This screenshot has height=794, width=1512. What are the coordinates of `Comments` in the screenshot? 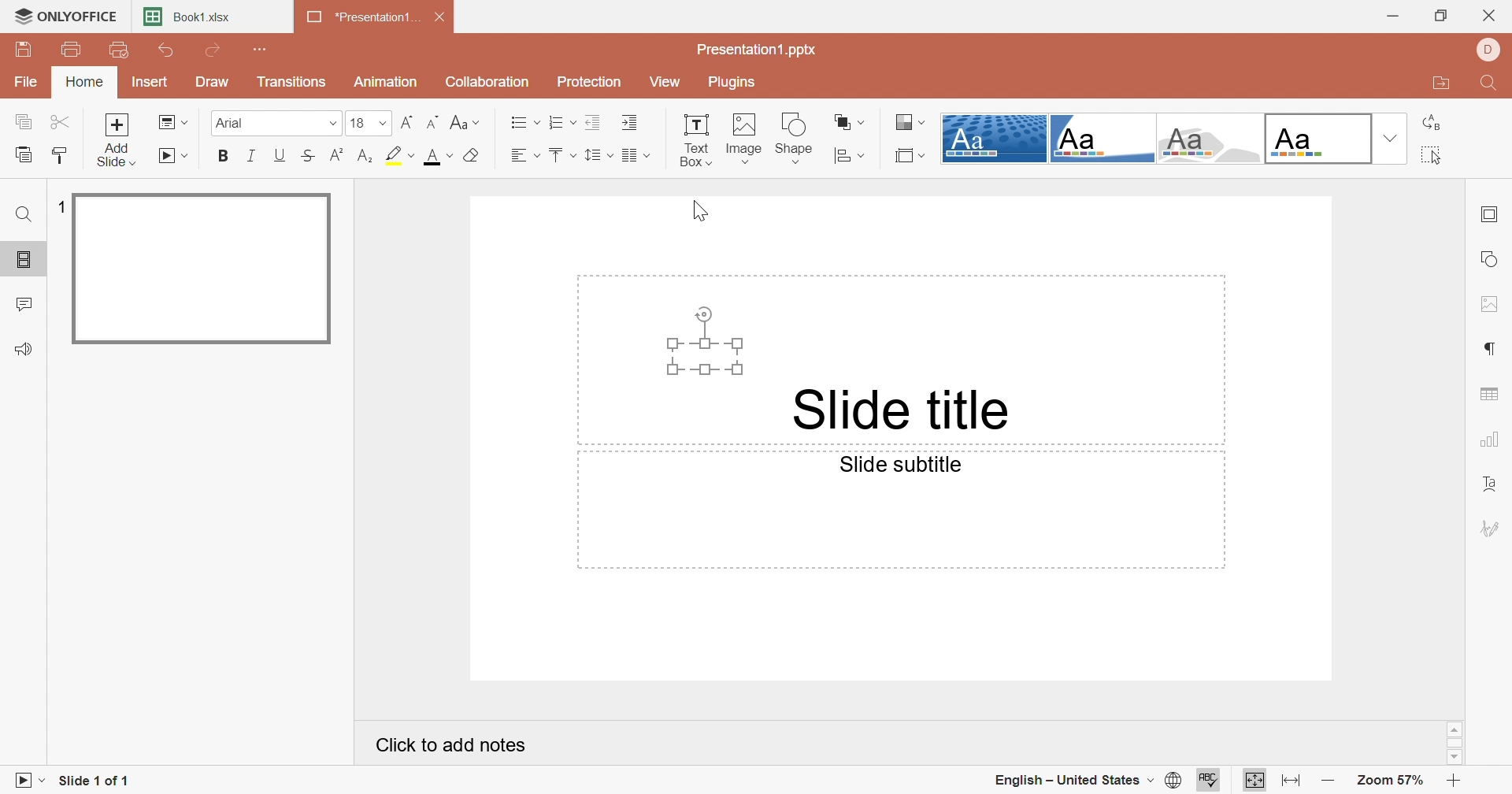 It's located at (26, 302).